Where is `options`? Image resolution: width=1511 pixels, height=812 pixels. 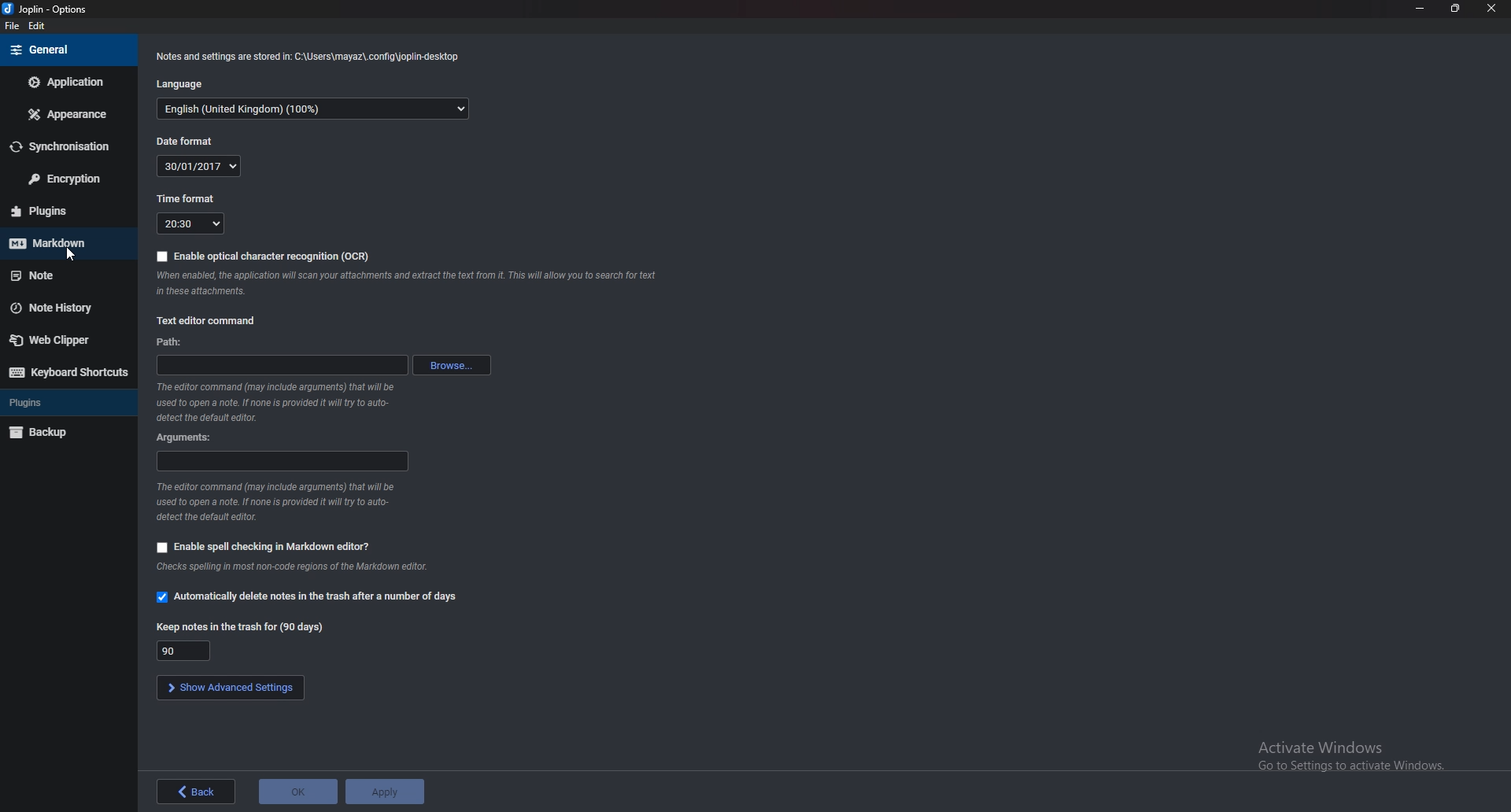 options is located at coordinates (46, 7).